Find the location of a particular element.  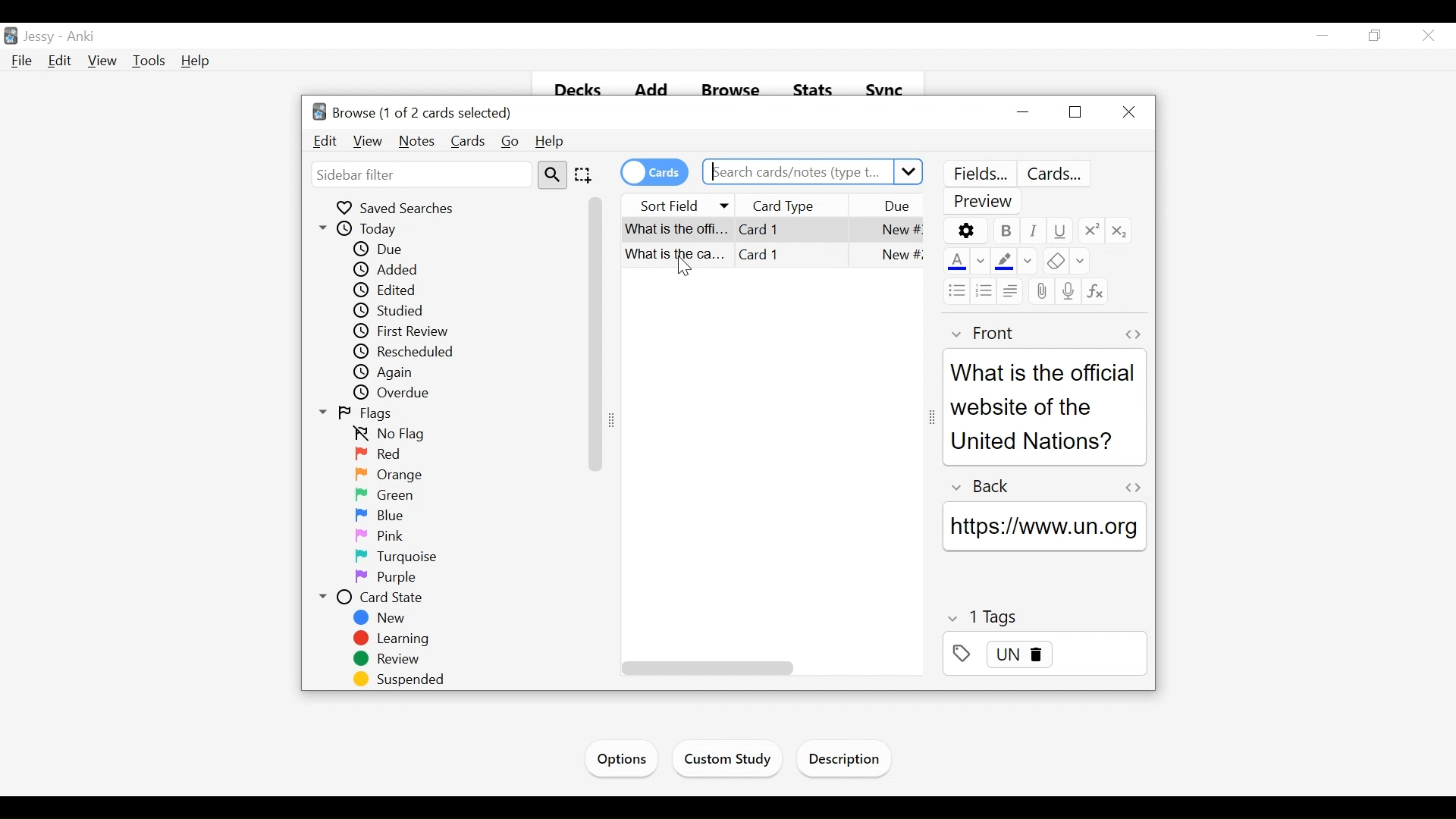

Get Started is located at coordinates (626, 757).